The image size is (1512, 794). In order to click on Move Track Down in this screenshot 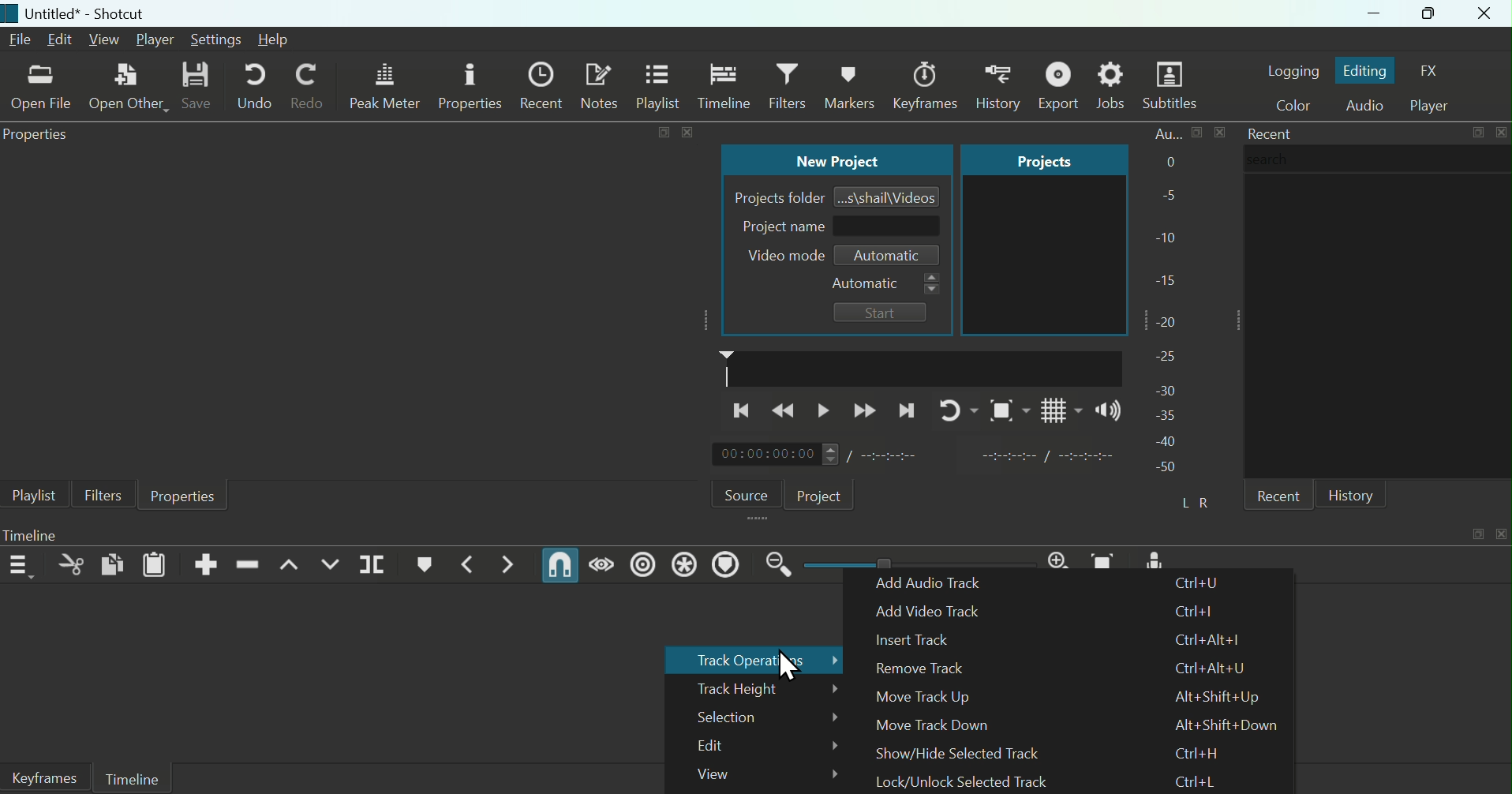, I will do `click(937, 726)`.